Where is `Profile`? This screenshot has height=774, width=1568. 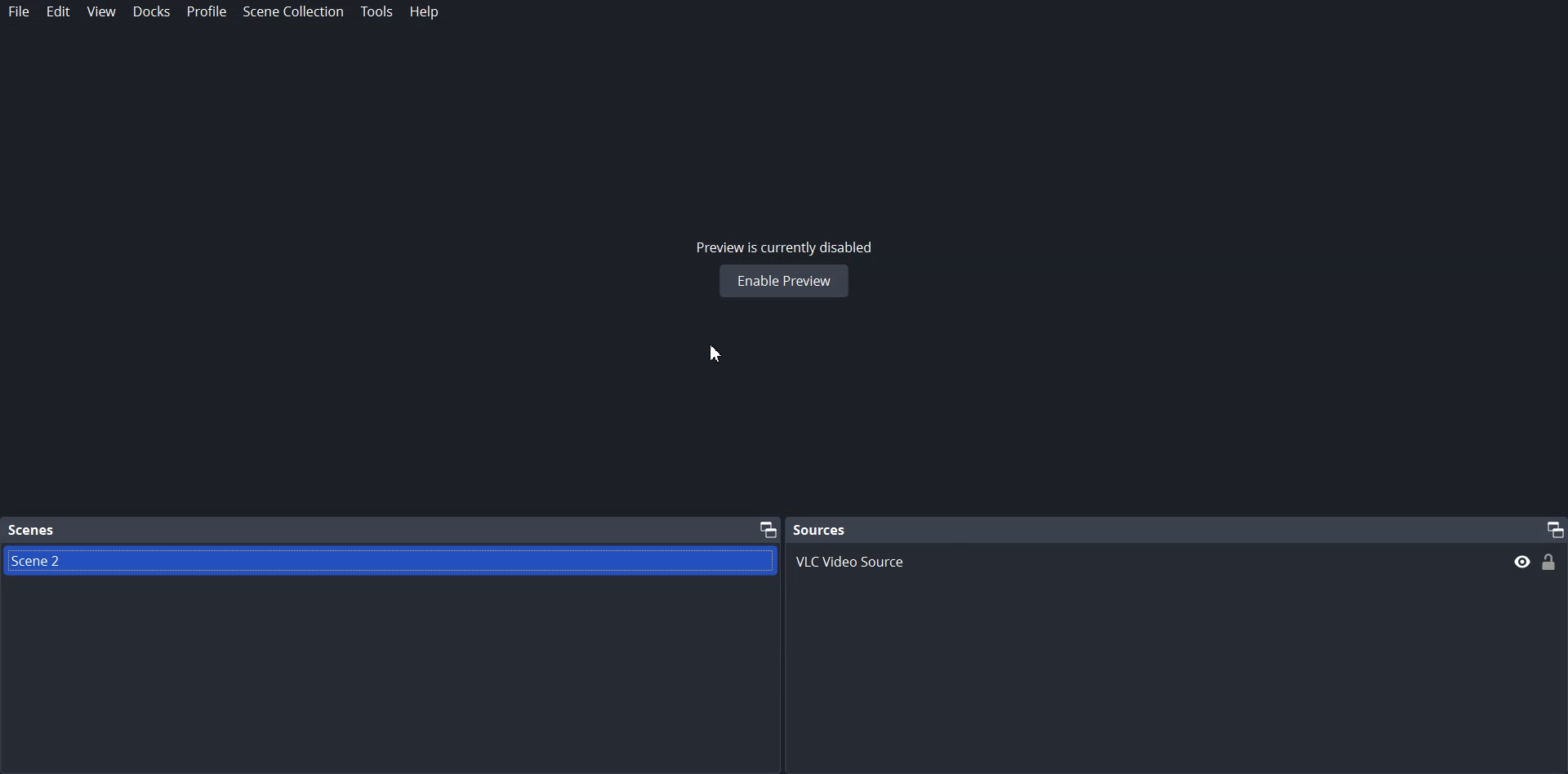
Profile is located at coordinates (206, 11).